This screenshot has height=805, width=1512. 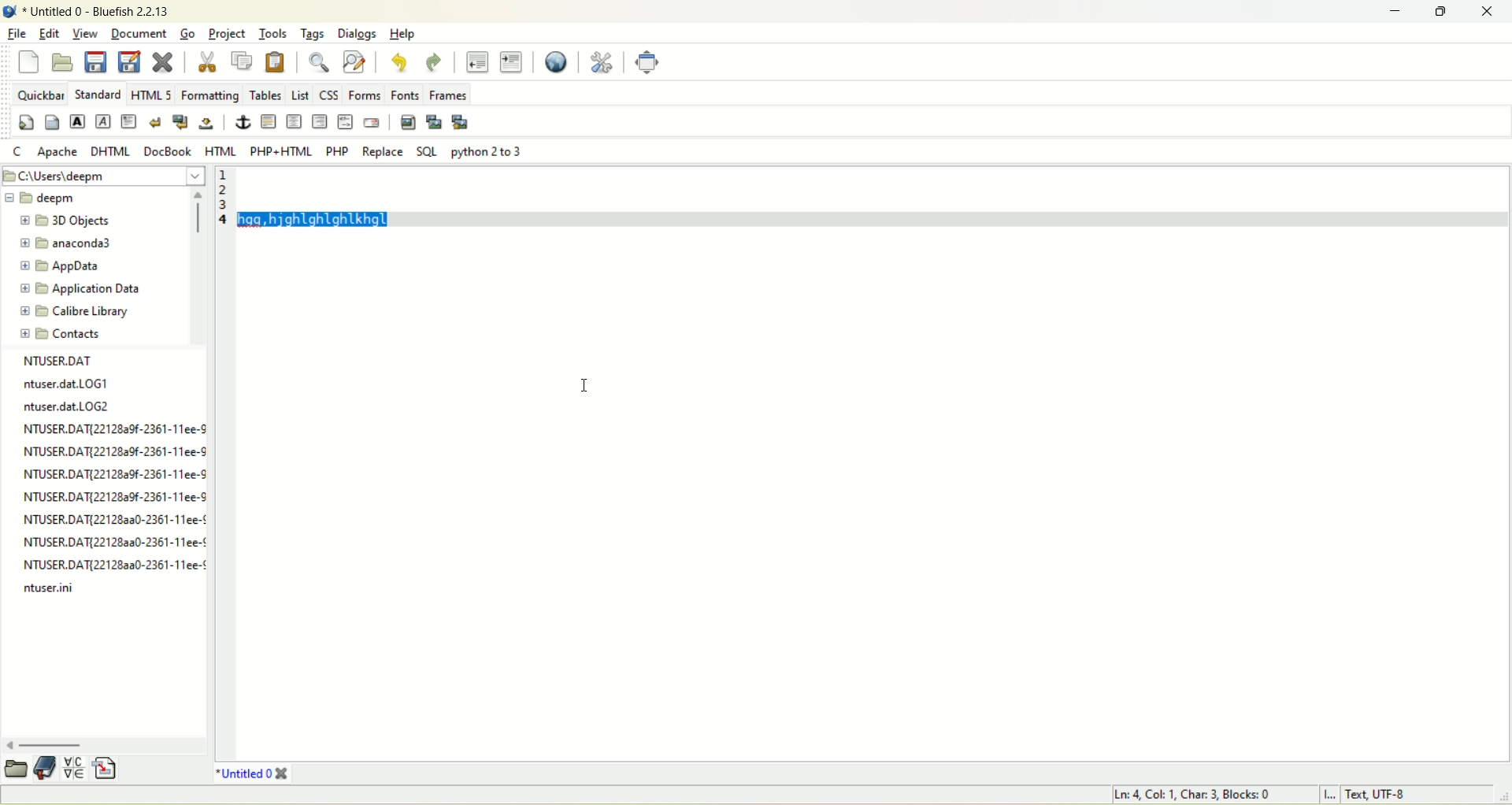 I want to click on scroll bar, so click(x=199, y=266).